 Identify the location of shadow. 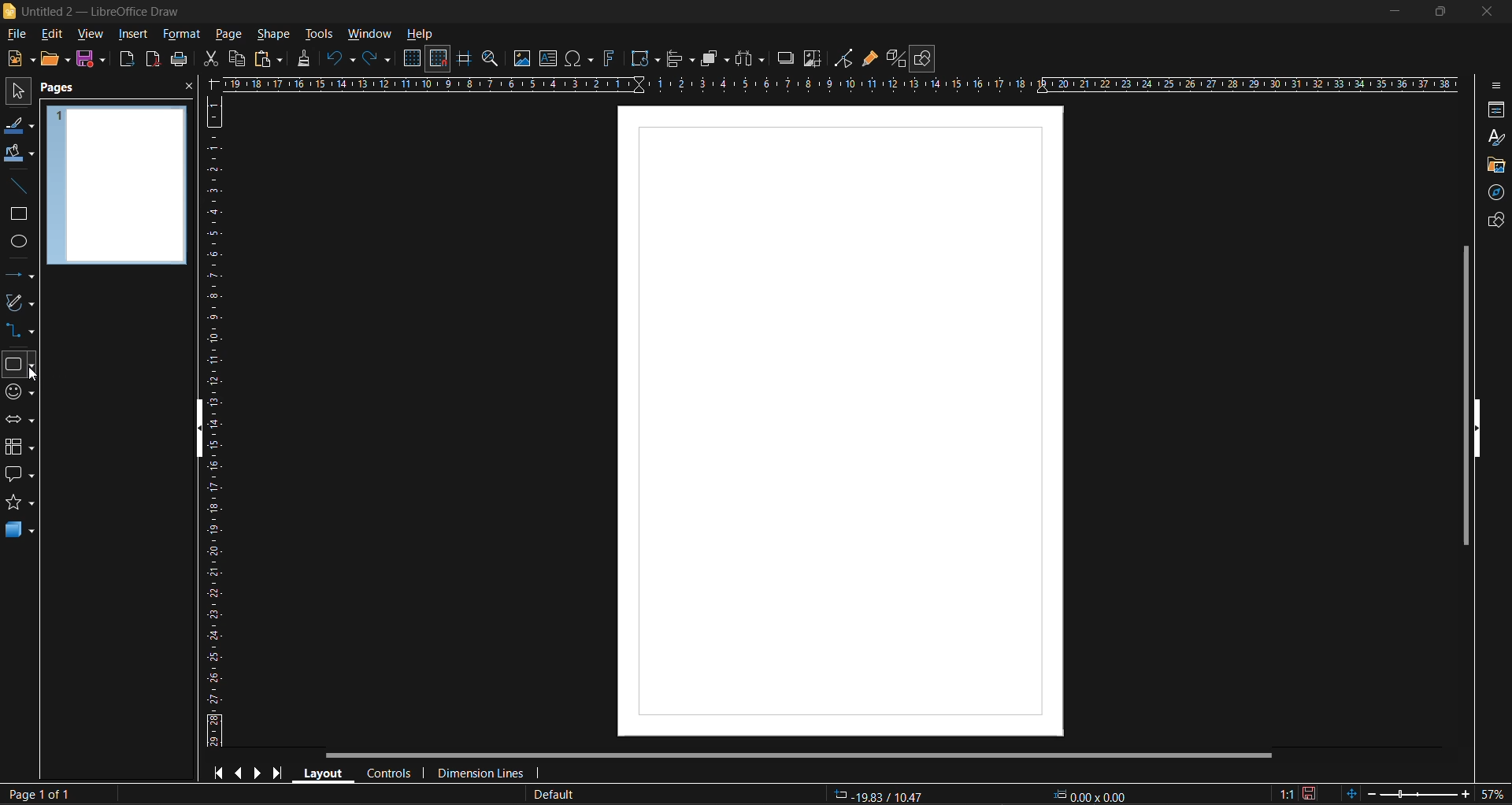
(787, 58).